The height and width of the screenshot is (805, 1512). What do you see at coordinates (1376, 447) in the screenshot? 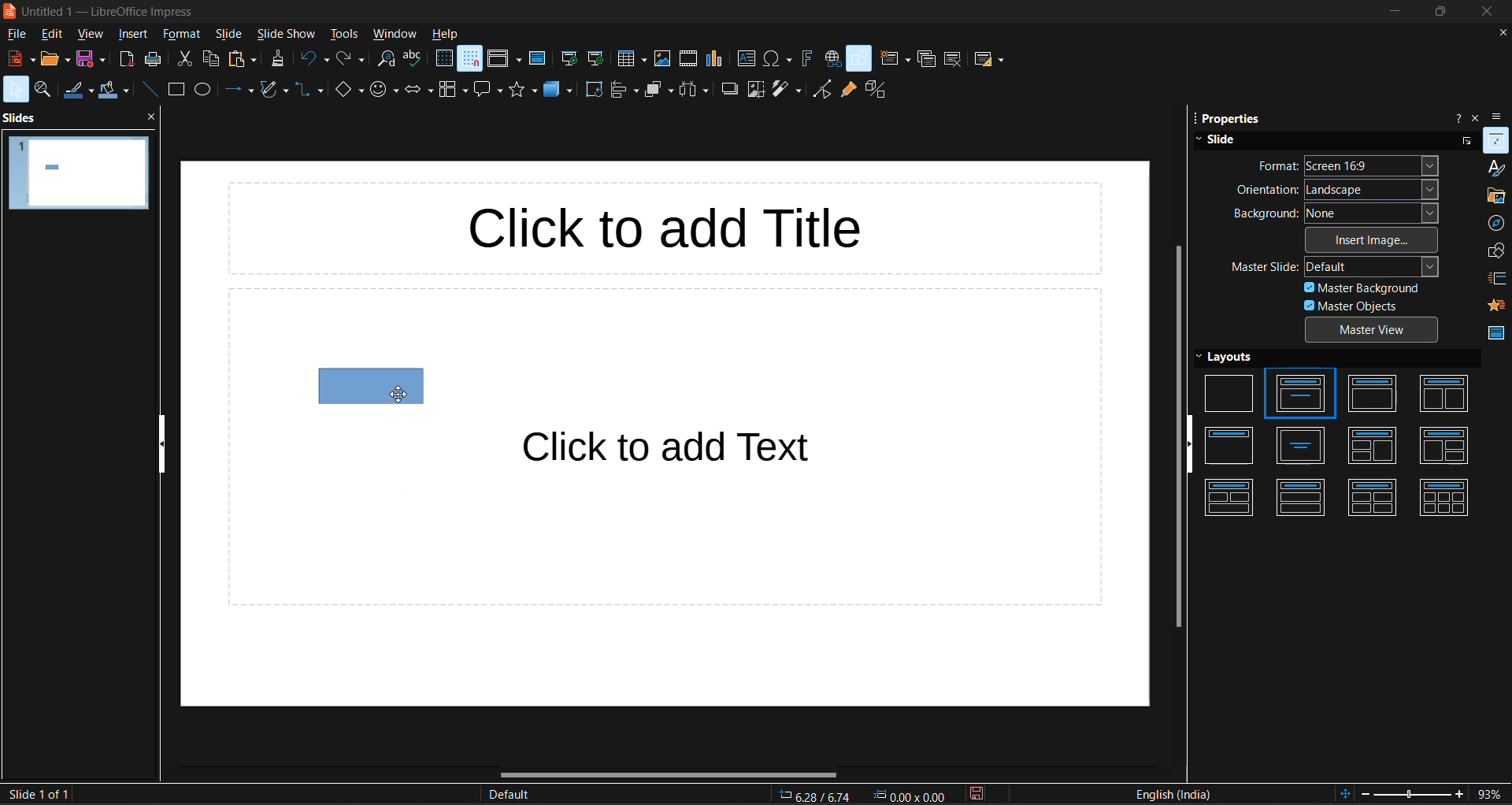
I see `title,2 content and content` at bounding box center [1376, 447].